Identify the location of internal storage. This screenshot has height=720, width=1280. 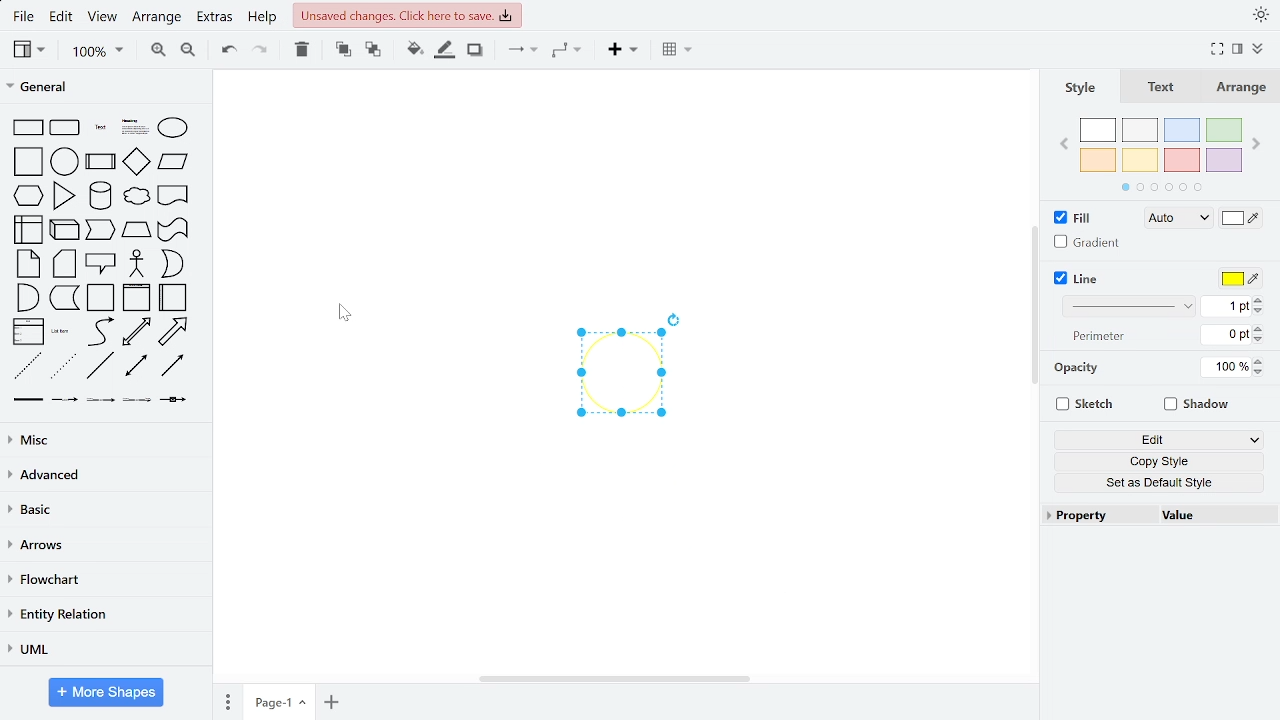
(29, 230).